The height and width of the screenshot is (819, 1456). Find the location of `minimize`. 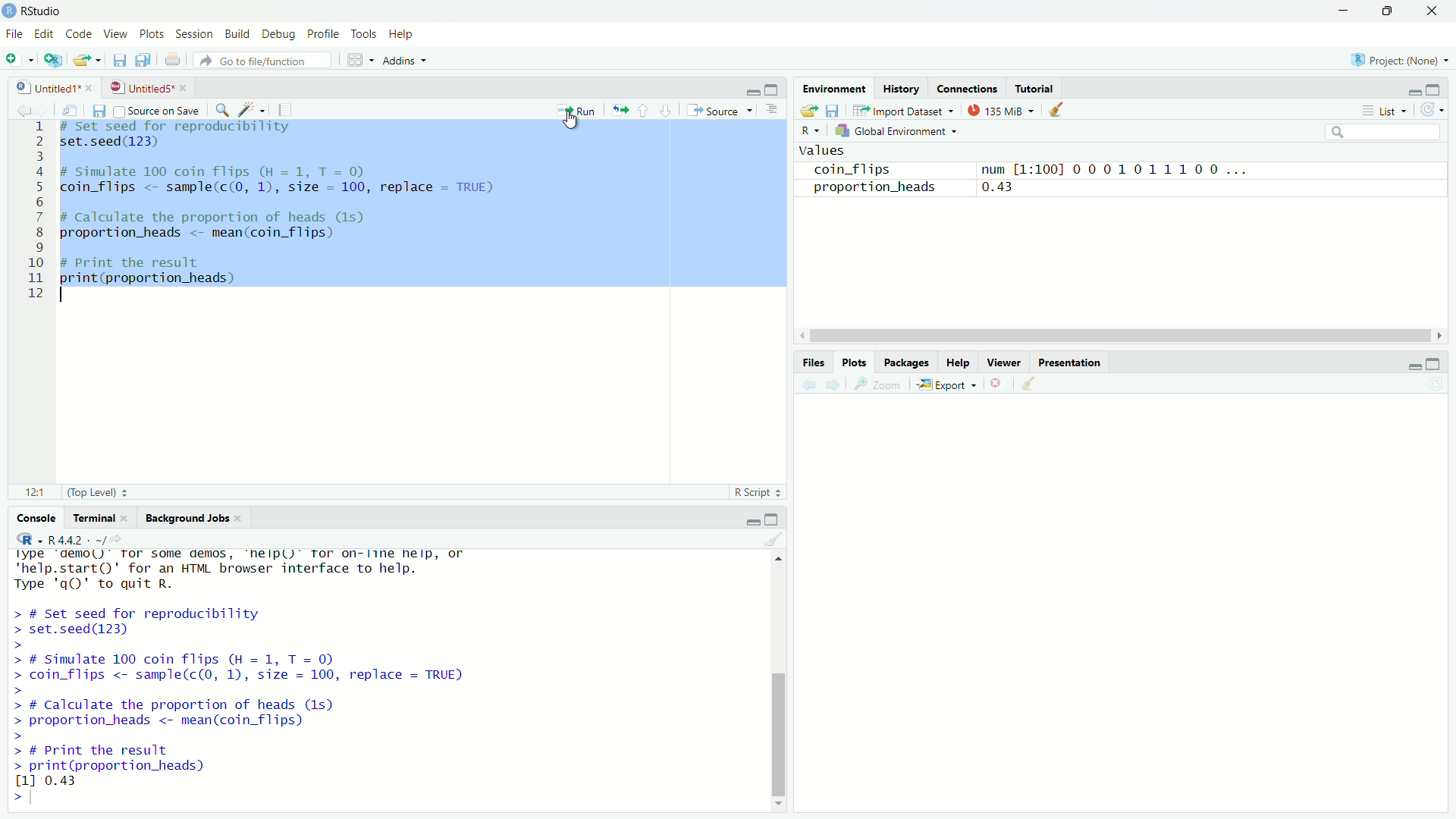

minimize is located at coordinates (1409, 88).